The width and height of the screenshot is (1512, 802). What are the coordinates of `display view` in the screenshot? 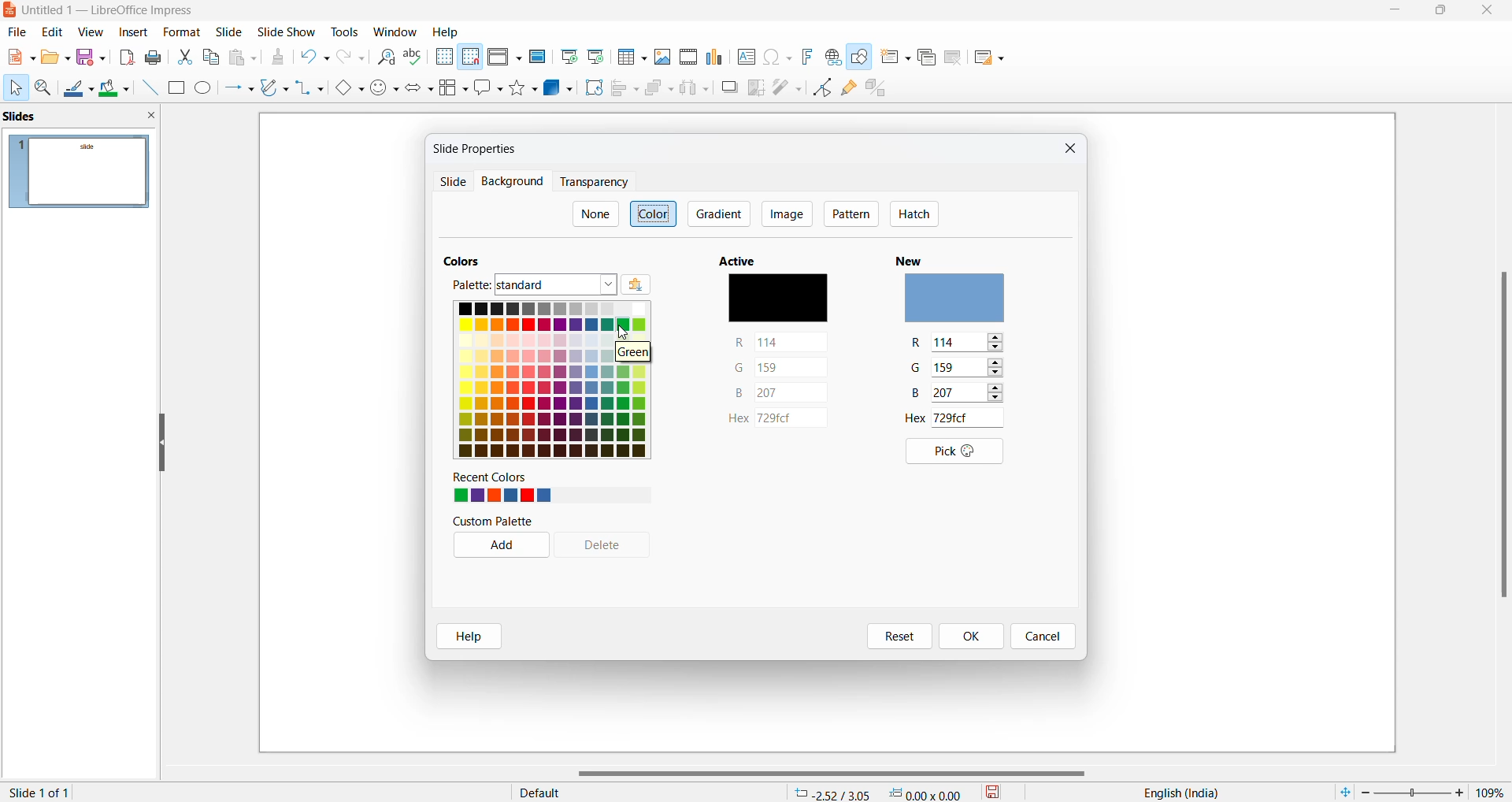 It's located at (505, 58).